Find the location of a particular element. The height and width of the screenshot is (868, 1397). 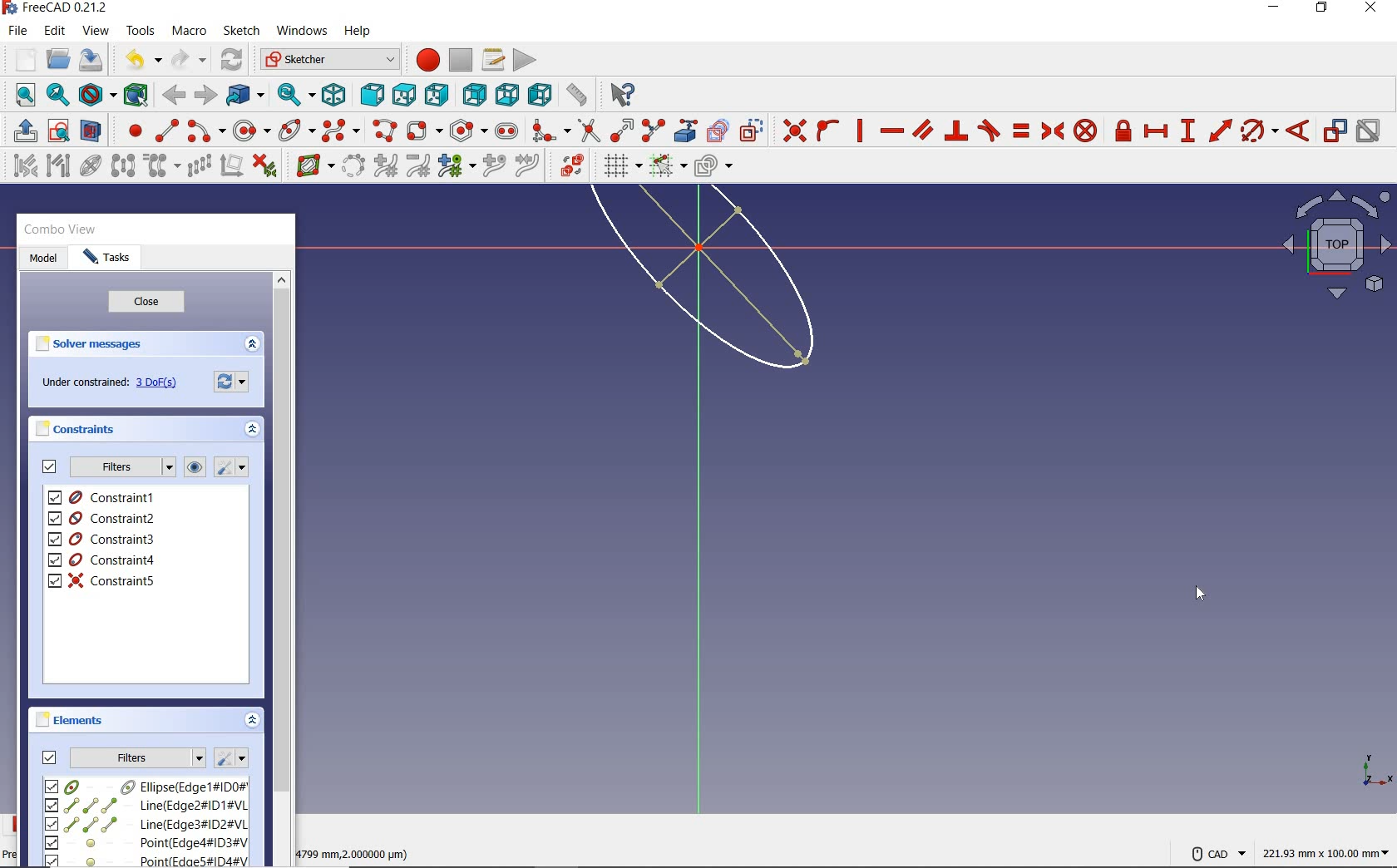

constrain angle is located at coordinates (1298, 130).